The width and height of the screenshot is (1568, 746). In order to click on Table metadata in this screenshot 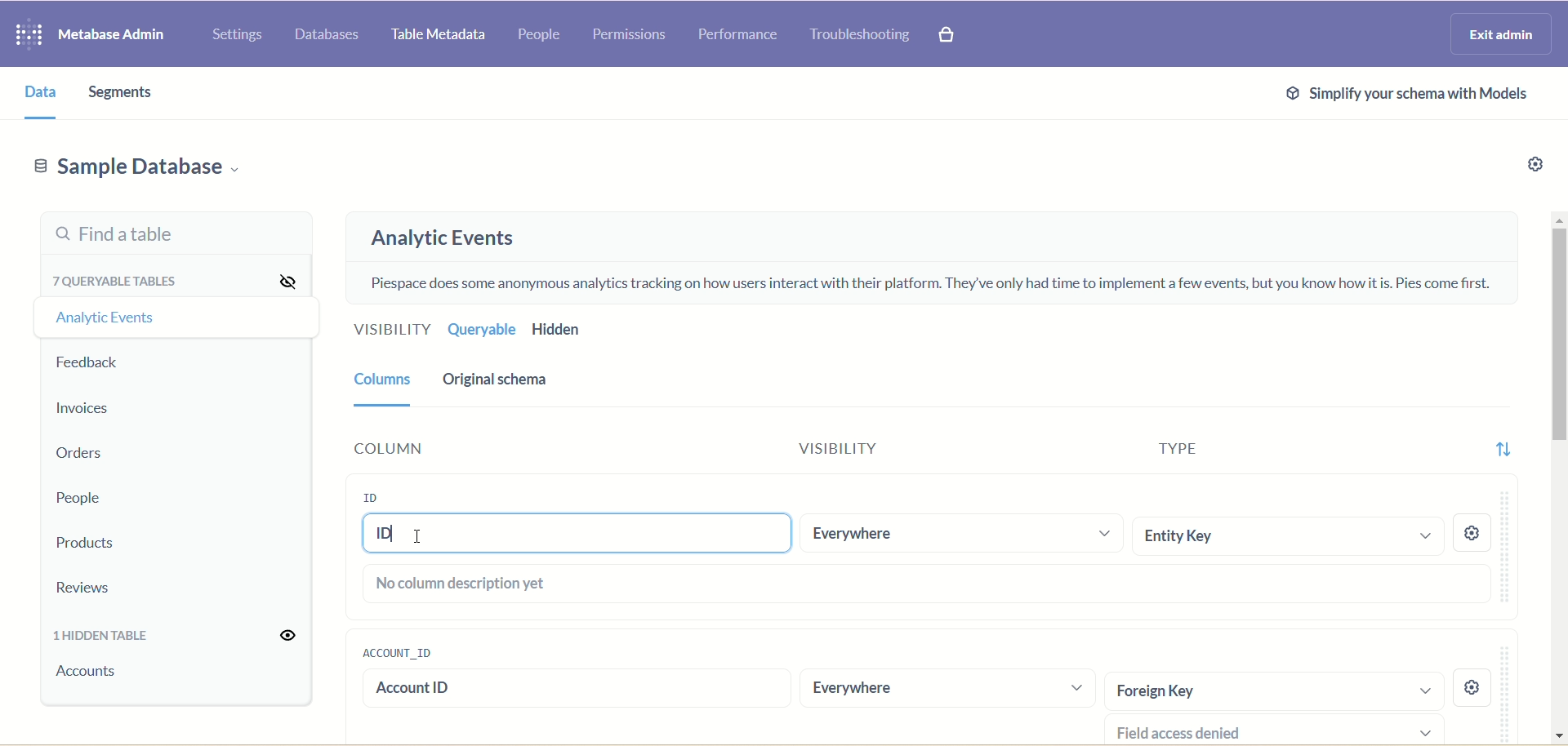, I will do `click(440, 35)`.